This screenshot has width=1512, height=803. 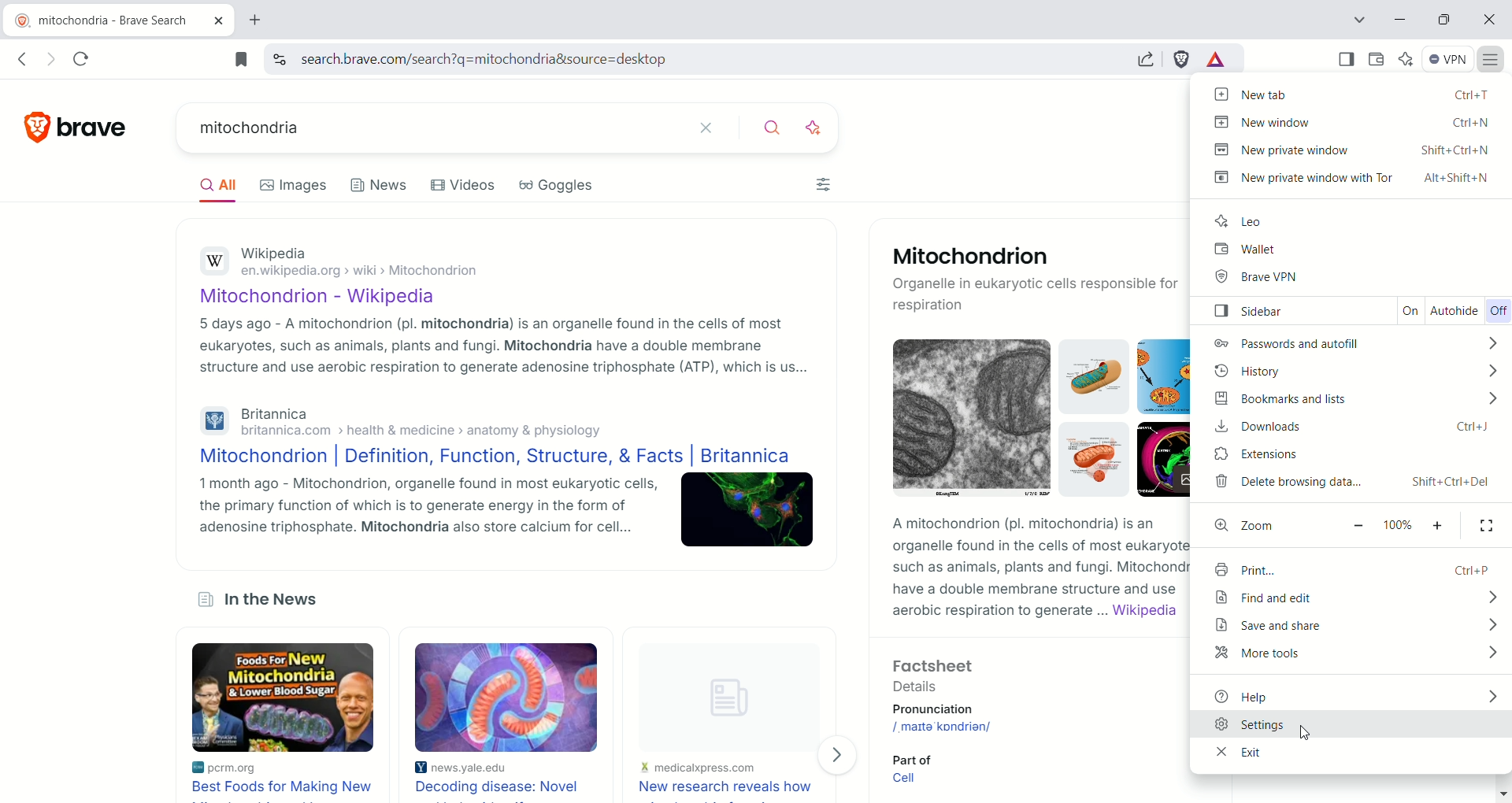 I want to click on settings, so click(x=1241, y=723).